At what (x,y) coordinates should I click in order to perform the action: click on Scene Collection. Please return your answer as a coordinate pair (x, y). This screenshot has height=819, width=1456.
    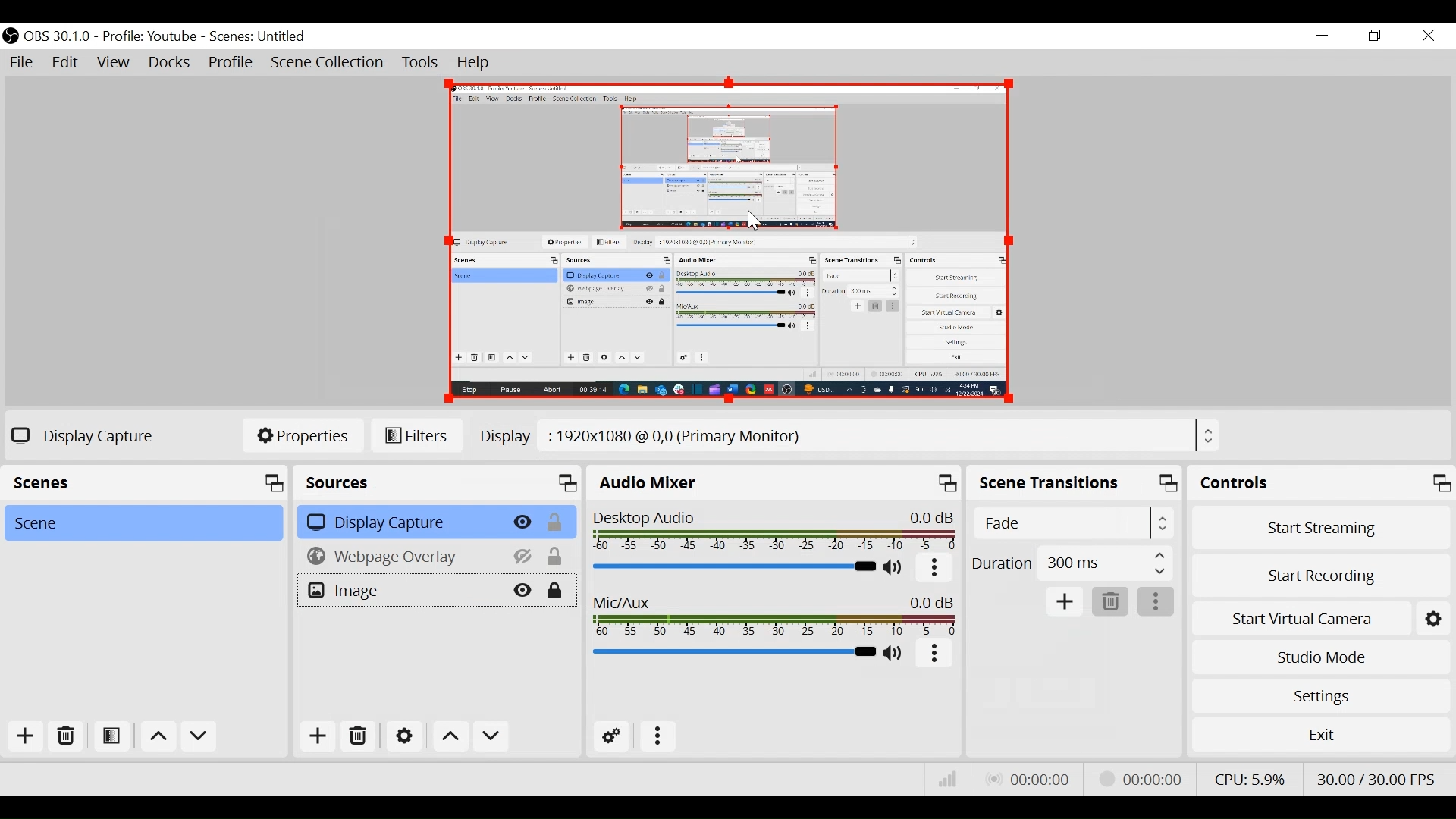
    Looking at the image, I should click on (330, 63).